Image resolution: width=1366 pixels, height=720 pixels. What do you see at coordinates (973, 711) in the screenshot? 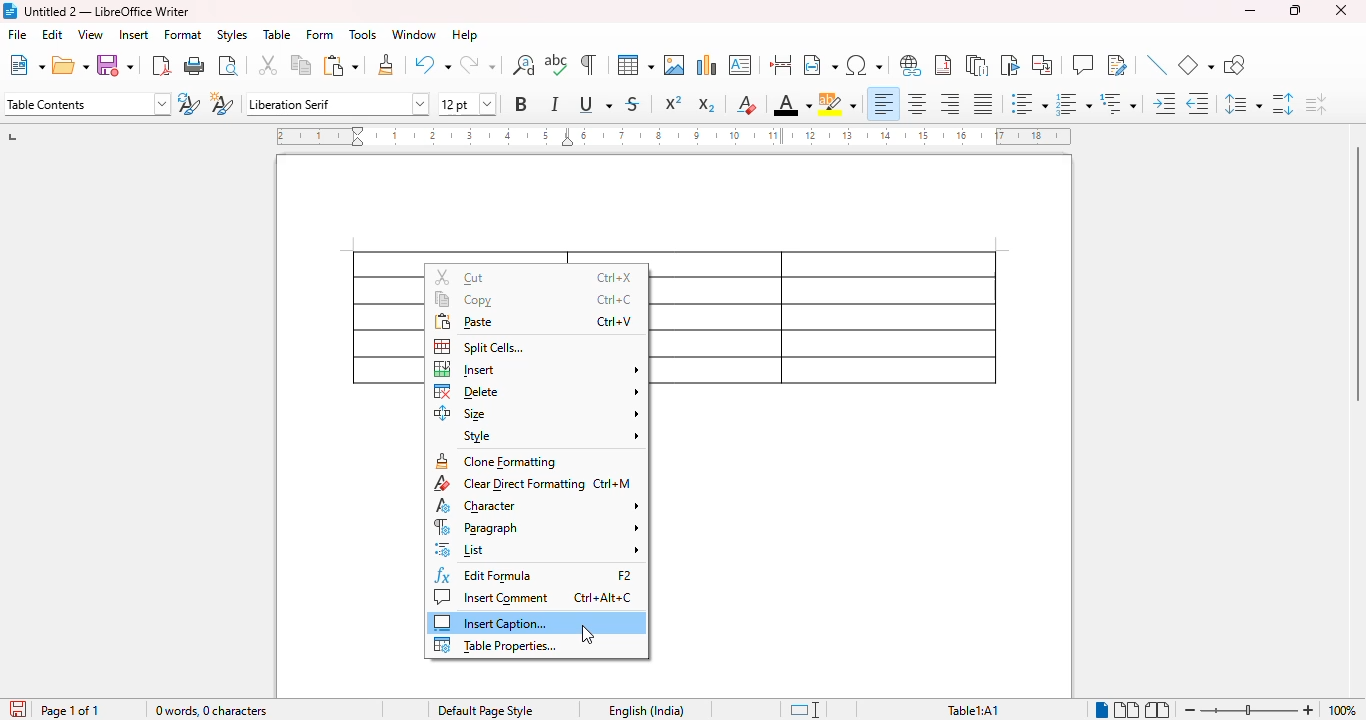
I see `table1: A1` at bounding box center [973, 711].